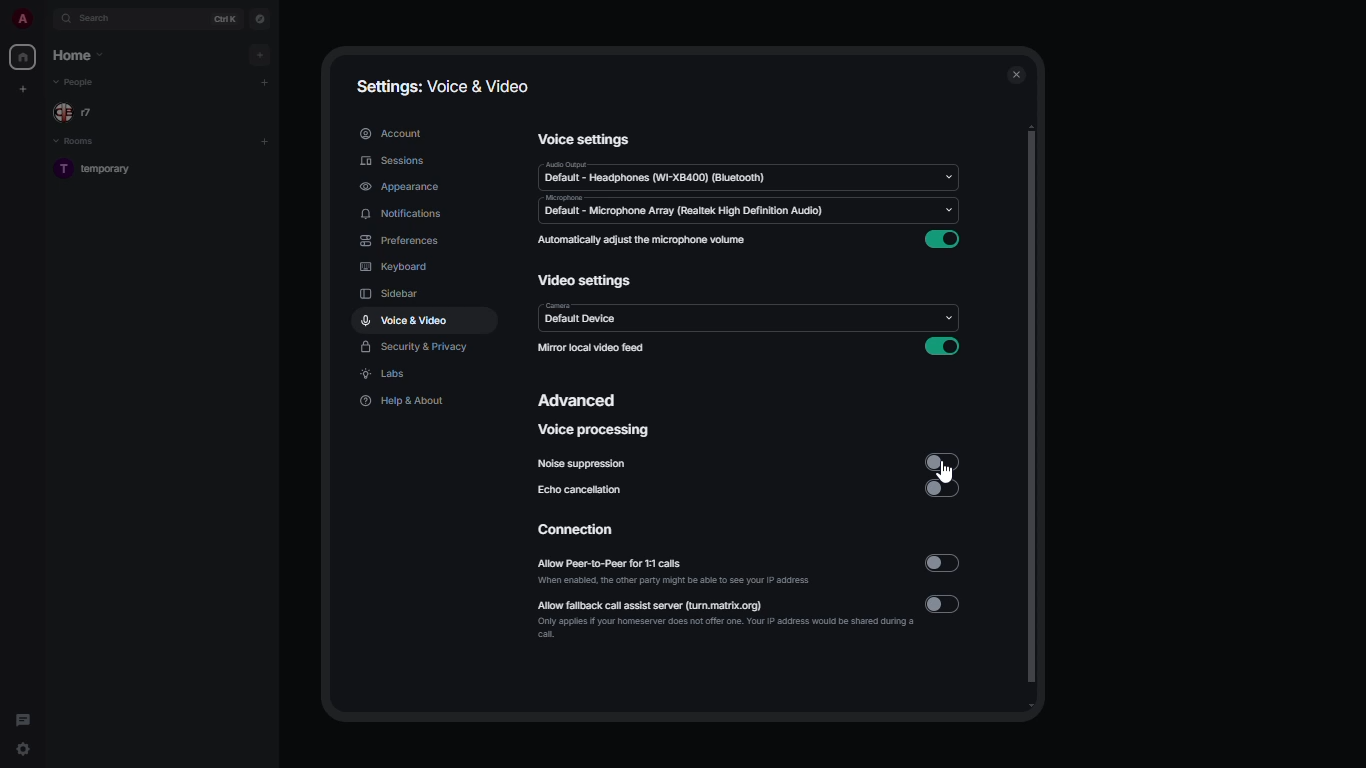 The image size is (1366, 768). I want to click on scroll bar, so click(1034, 419).